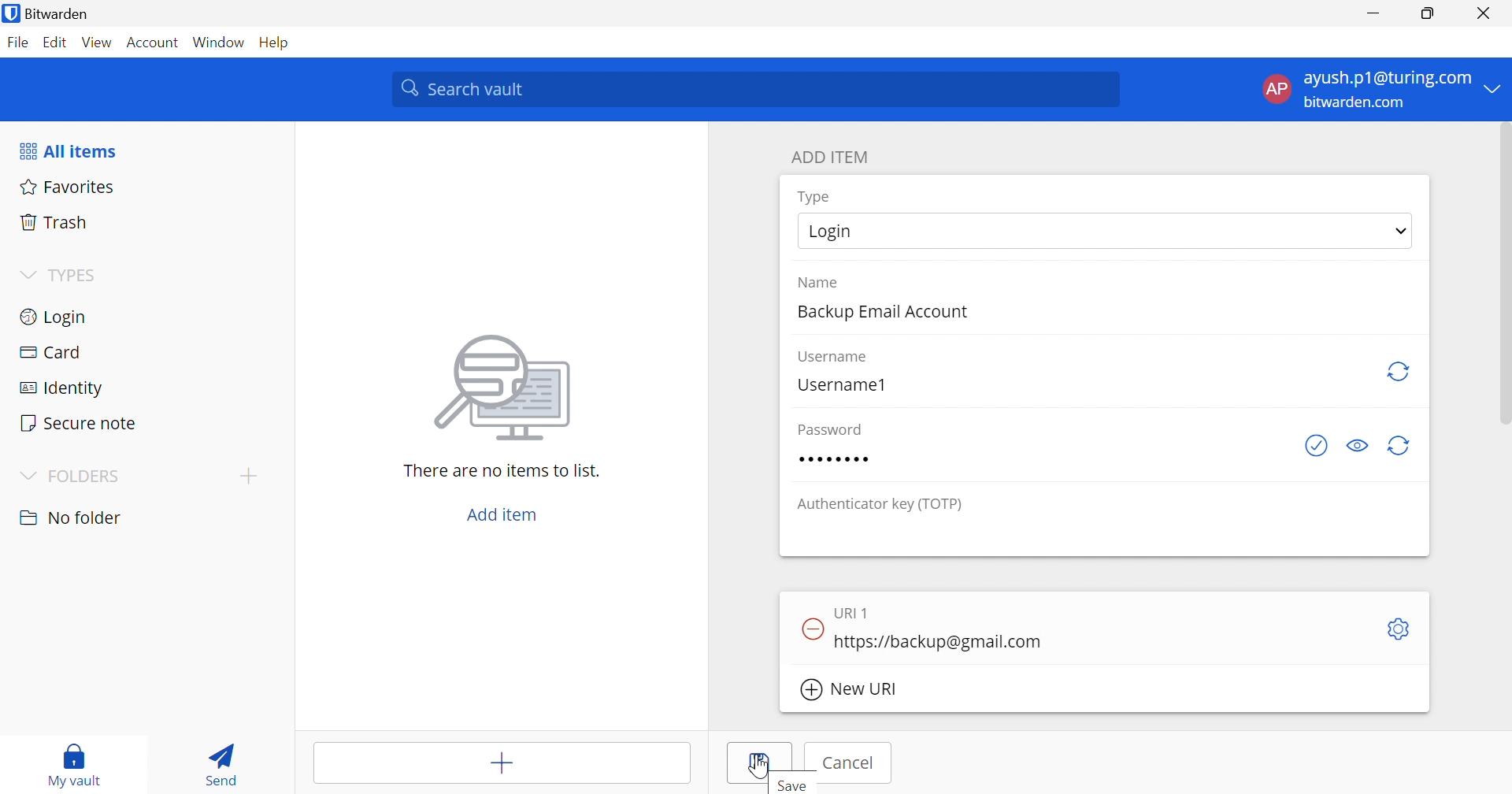 The image size is (1512, 794). I want to click on ayush.p1@gmail.com, so click(1385, 78).